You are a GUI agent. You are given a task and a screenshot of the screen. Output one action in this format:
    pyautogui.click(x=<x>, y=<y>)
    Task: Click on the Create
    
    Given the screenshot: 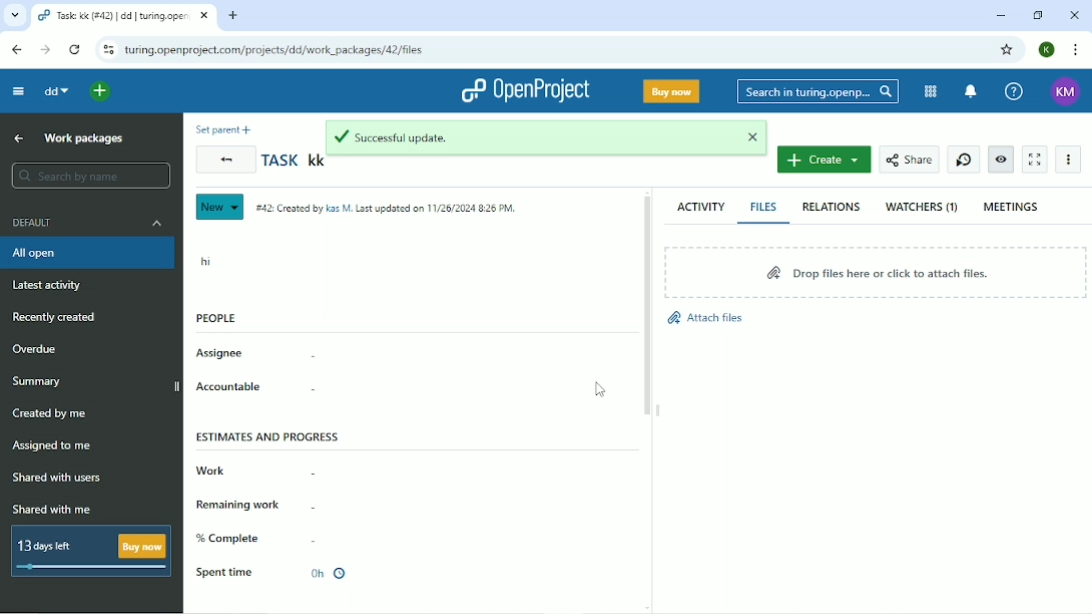 What is the action you would take?
    pyautogui.click(x=825, y=160)
    